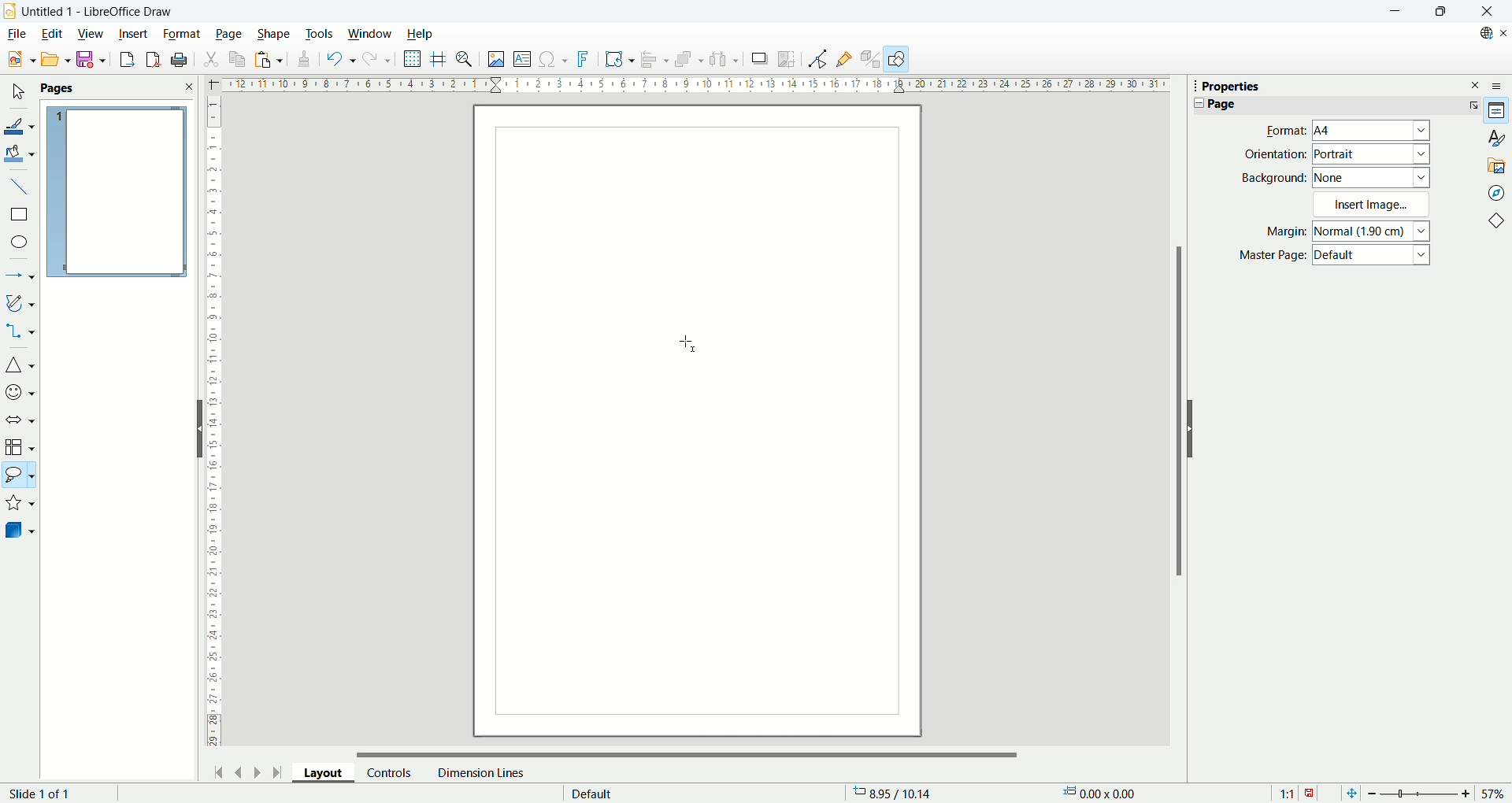  Describe the element at coordinates (899, 59) in the screenshot. I see `draw function` at that location.